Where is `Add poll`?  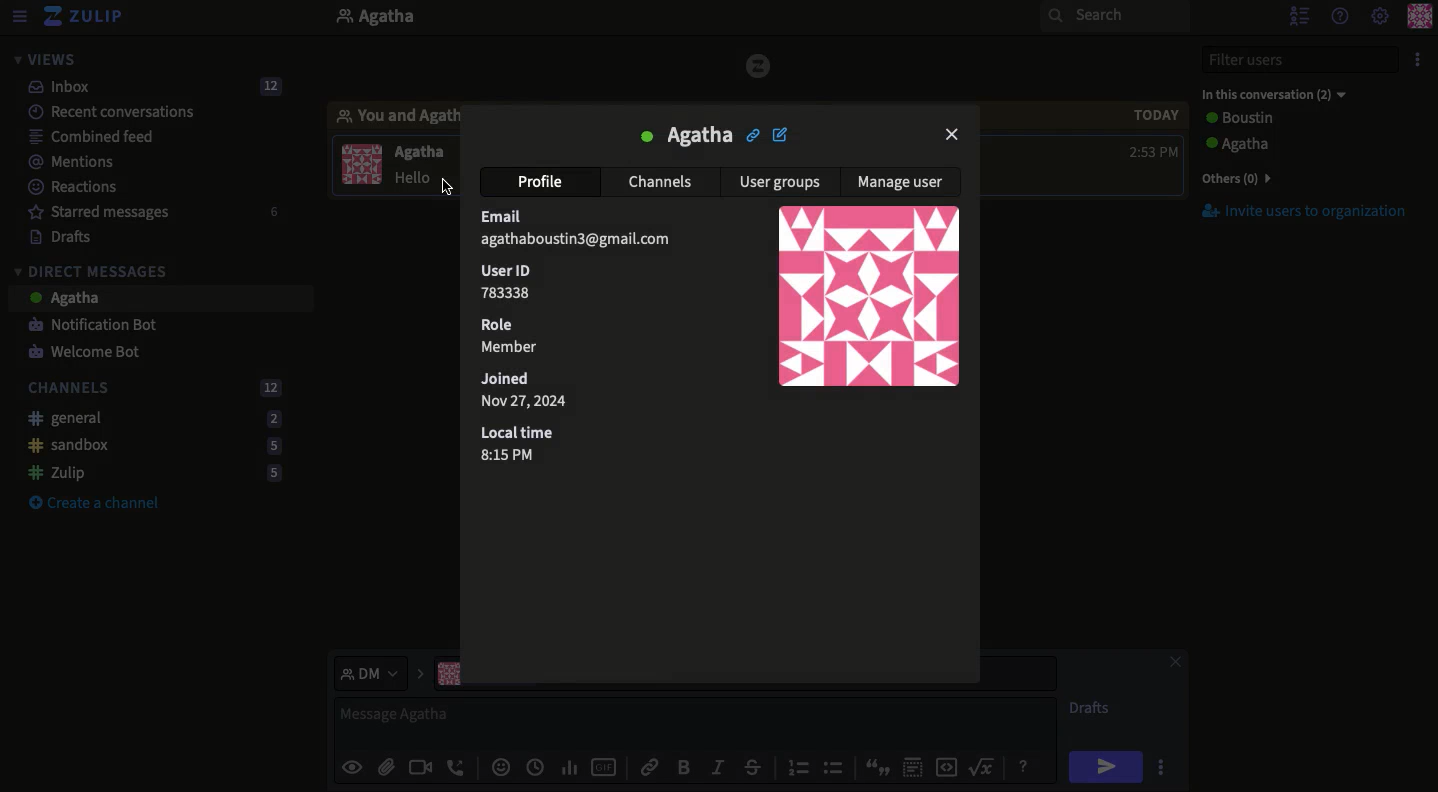
Add poll is located at coordinates (574, 765).